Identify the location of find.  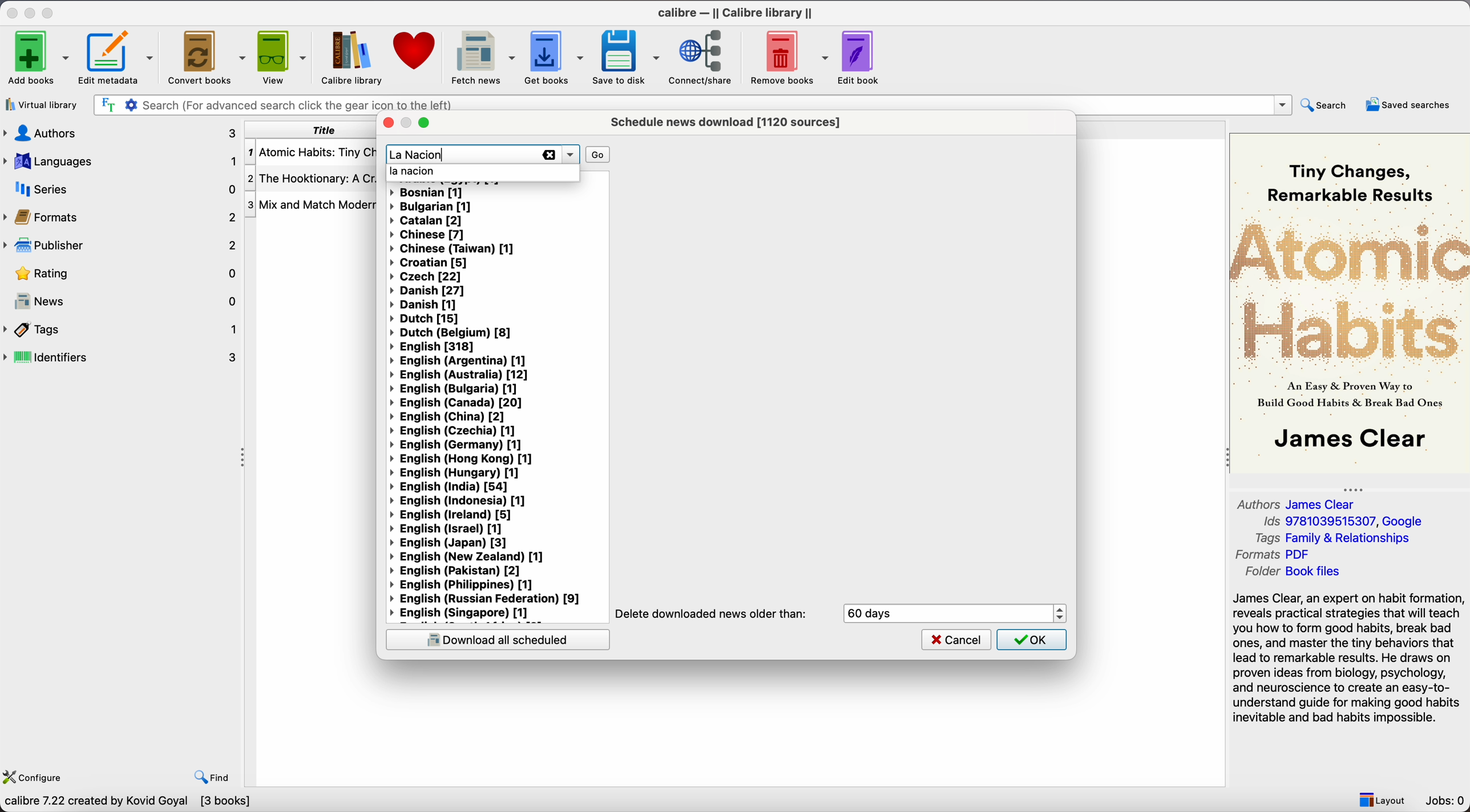
(212, 778).